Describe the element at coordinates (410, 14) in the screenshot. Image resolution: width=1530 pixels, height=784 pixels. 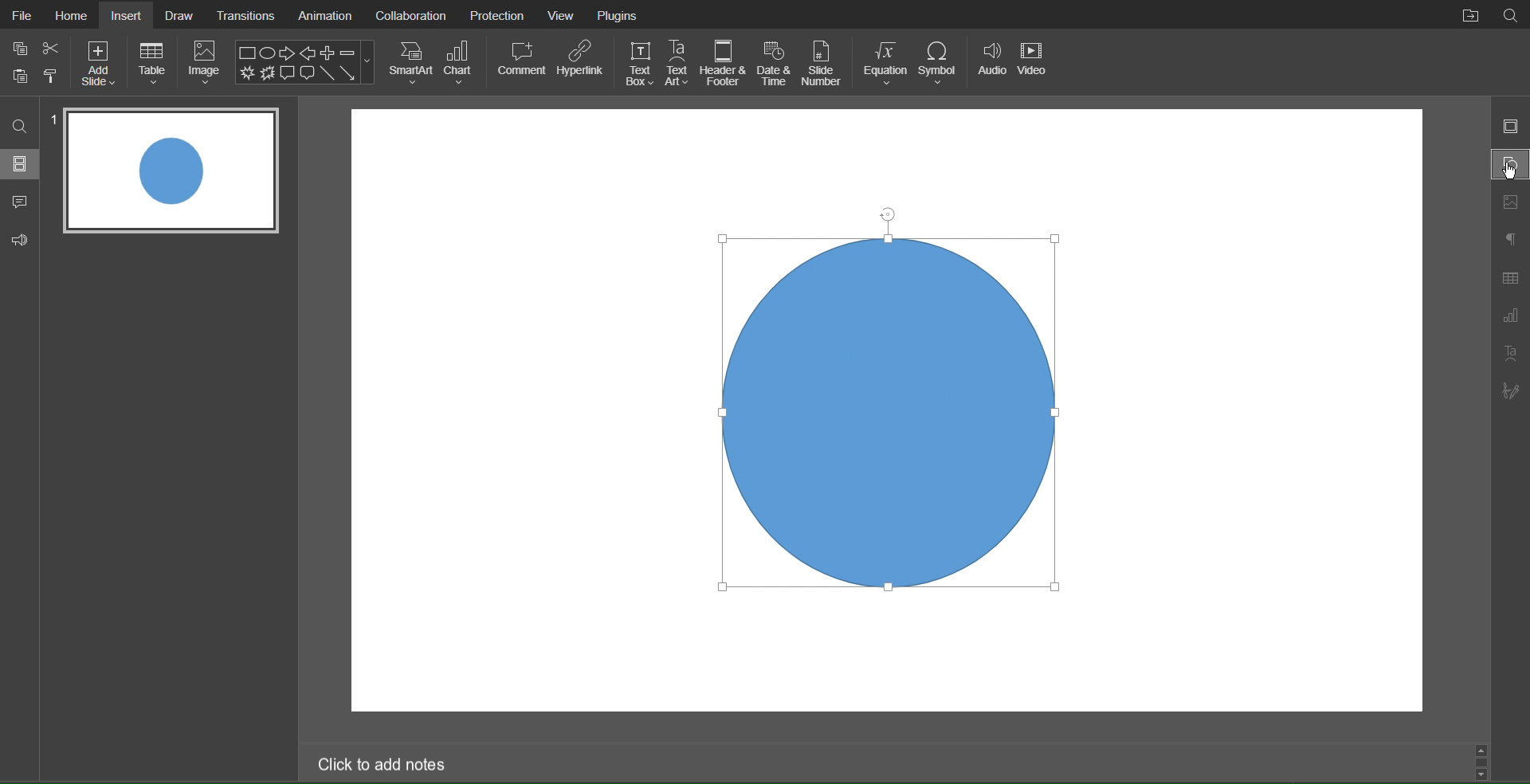
I see `Collaboration` at that location.